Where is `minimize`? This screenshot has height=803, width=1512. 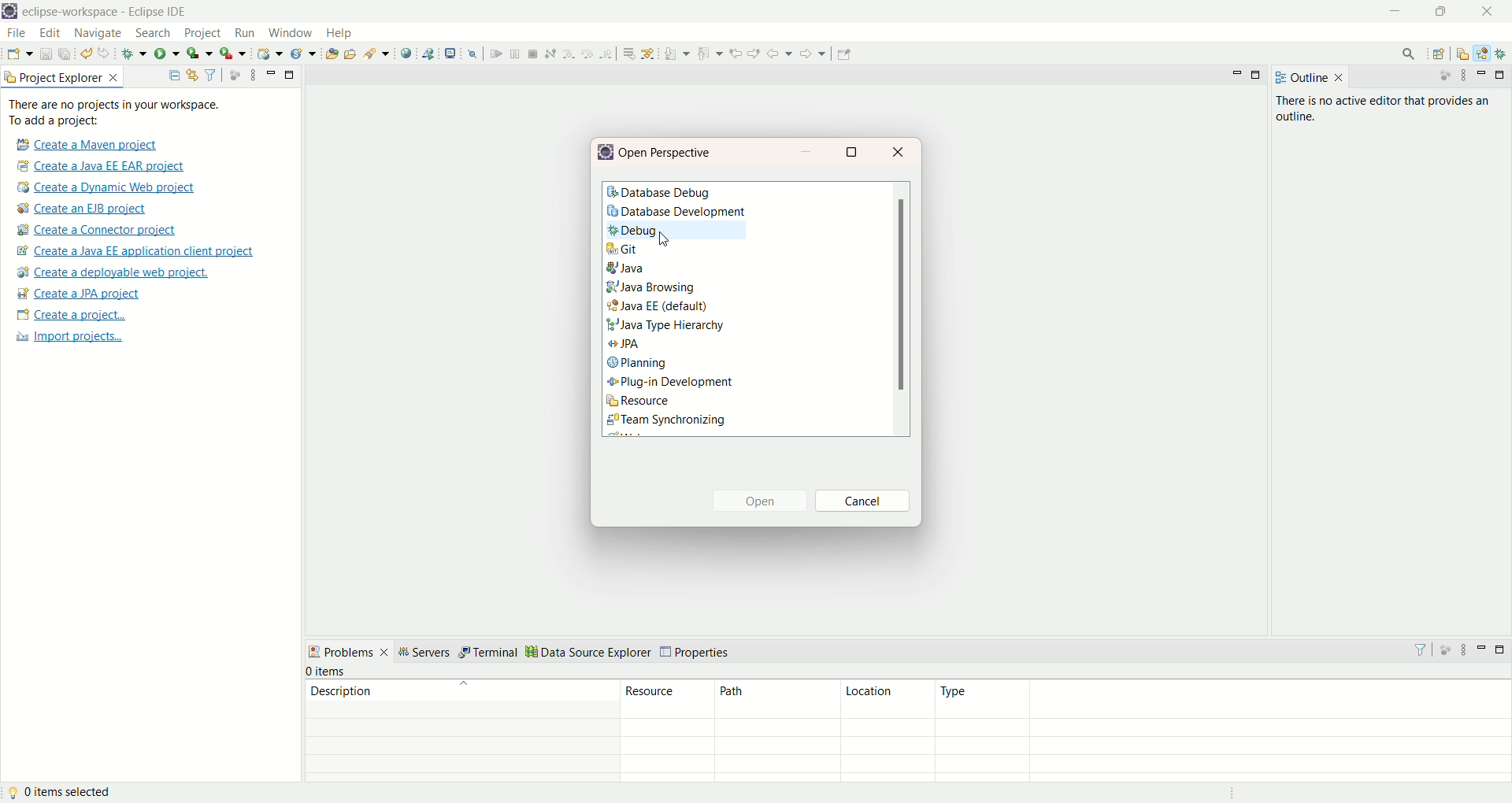 minimize is located at coordinates (1482, 73).